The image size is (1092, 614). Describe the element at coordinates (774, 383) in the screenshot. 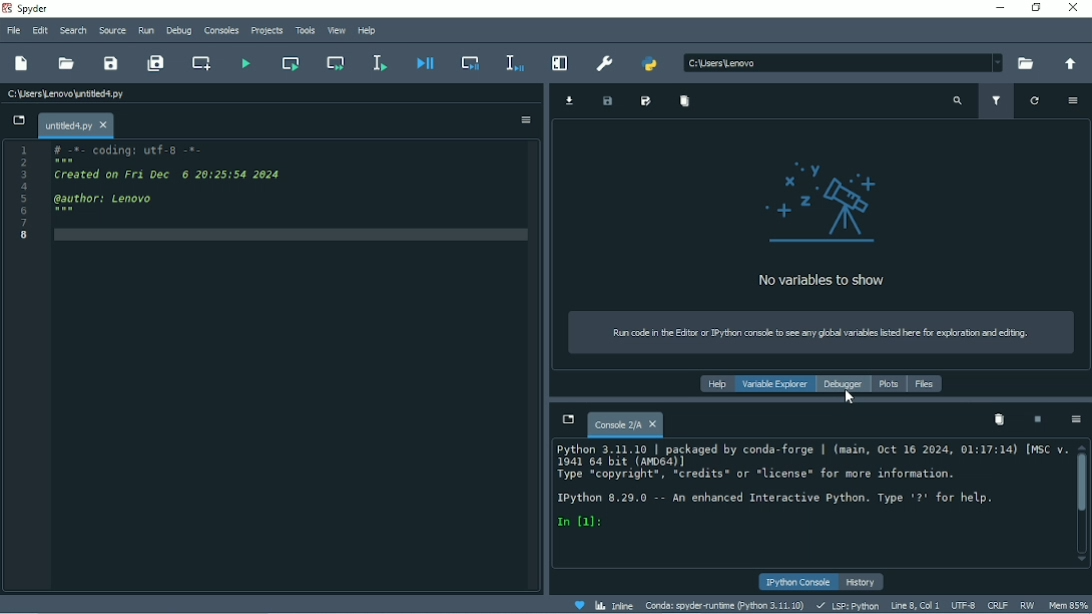

I see `Variable explorer` at that location.